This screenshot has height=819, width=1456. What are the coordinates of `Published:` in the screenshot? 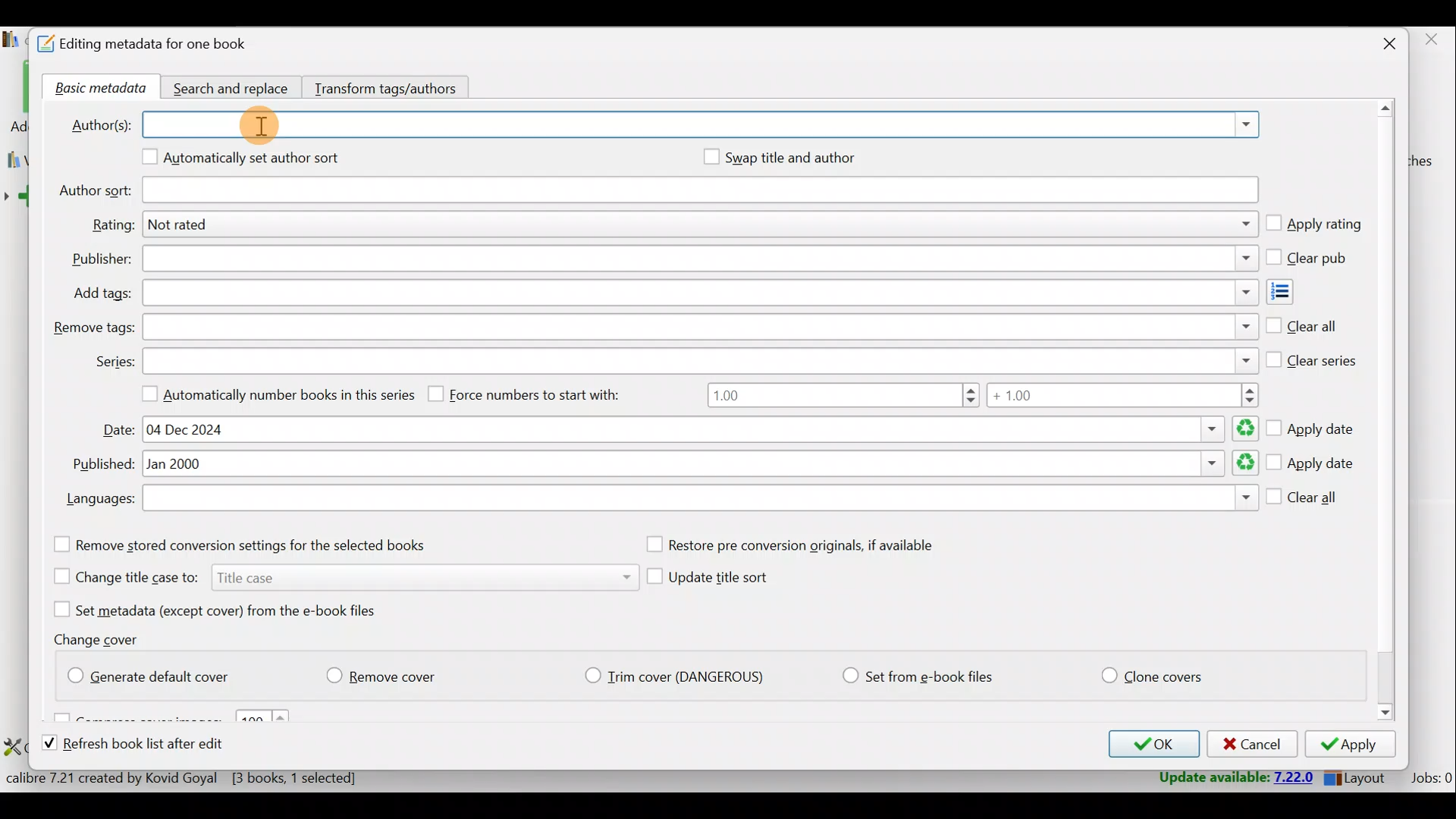 It's located at (100, 465).